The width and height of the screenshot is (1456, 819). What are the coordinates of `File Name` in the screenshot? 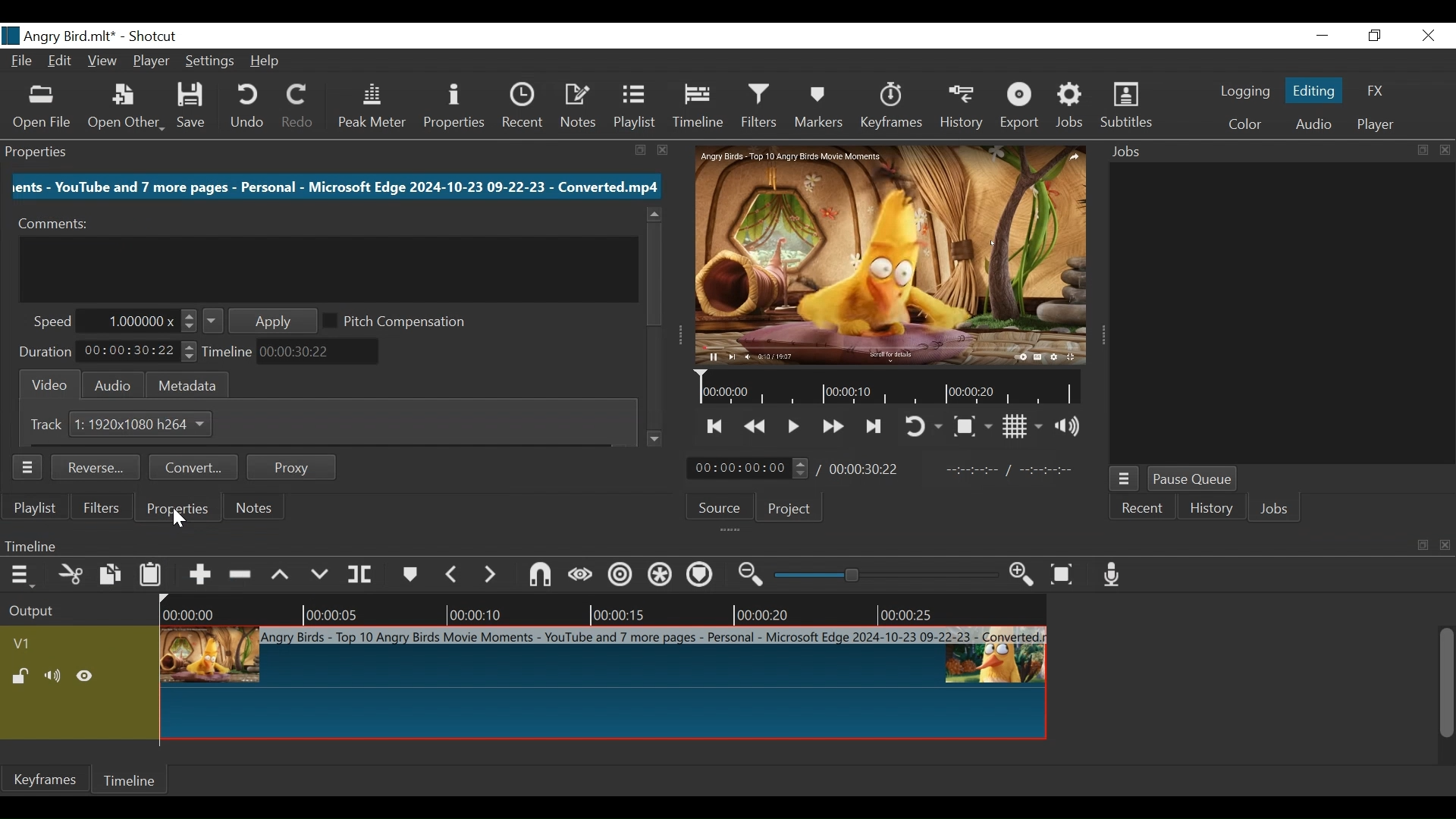 It's located at (58, 36).